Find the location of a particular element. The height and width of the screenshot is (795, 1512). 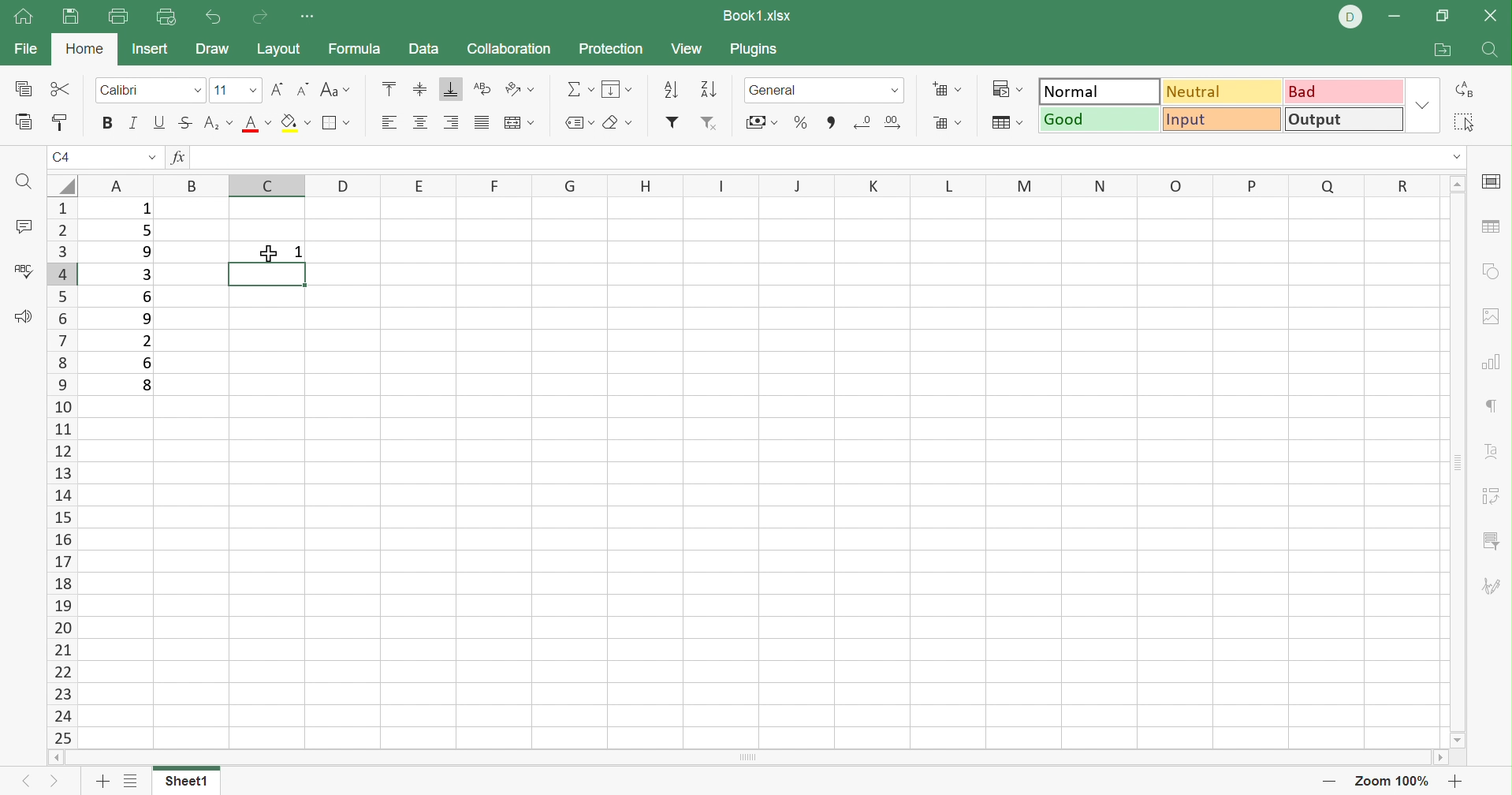

Neutral is located at coordinates (1221, 91).